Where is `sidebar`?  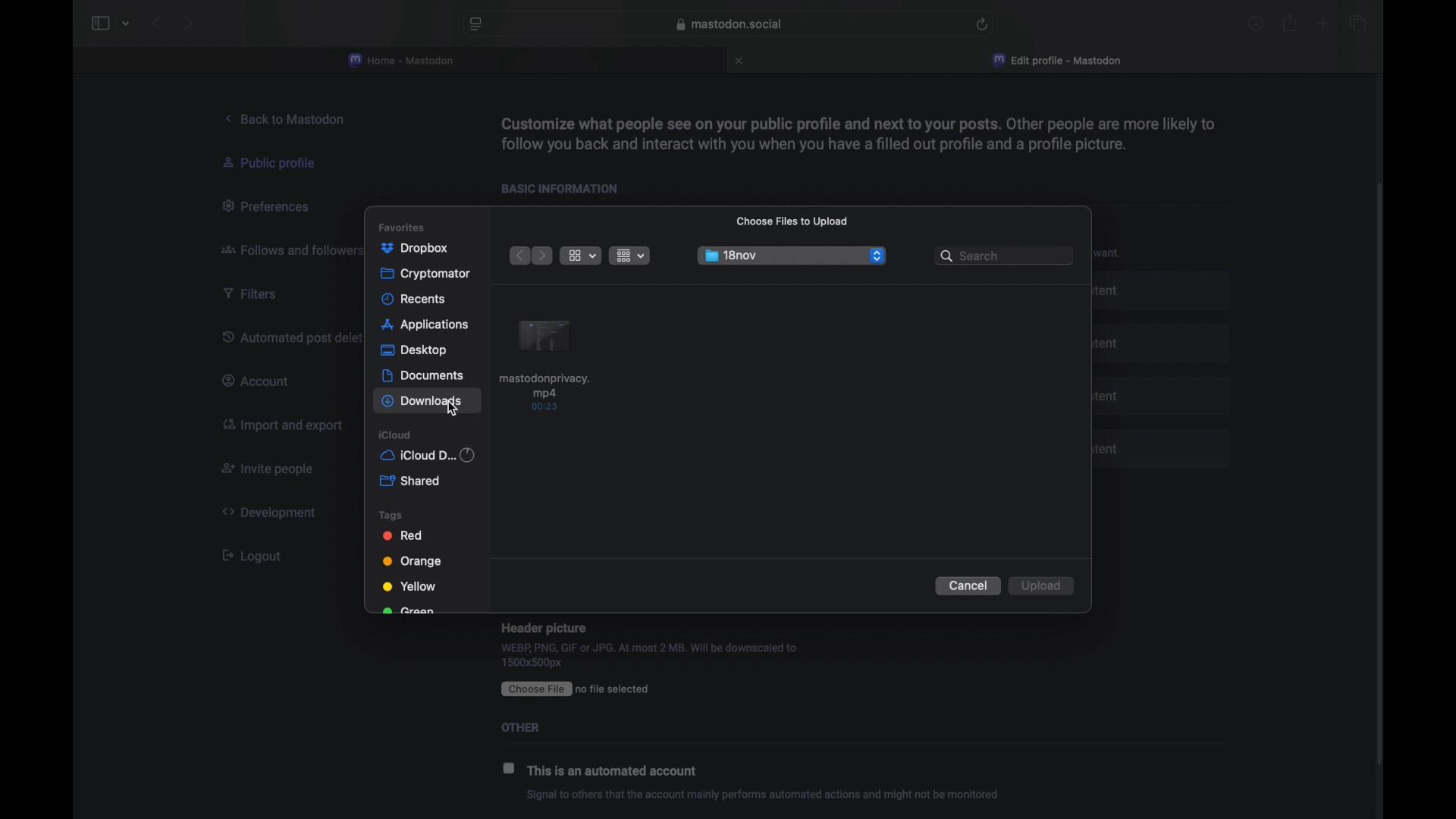 sidebar is located at coordinates (99, 24).